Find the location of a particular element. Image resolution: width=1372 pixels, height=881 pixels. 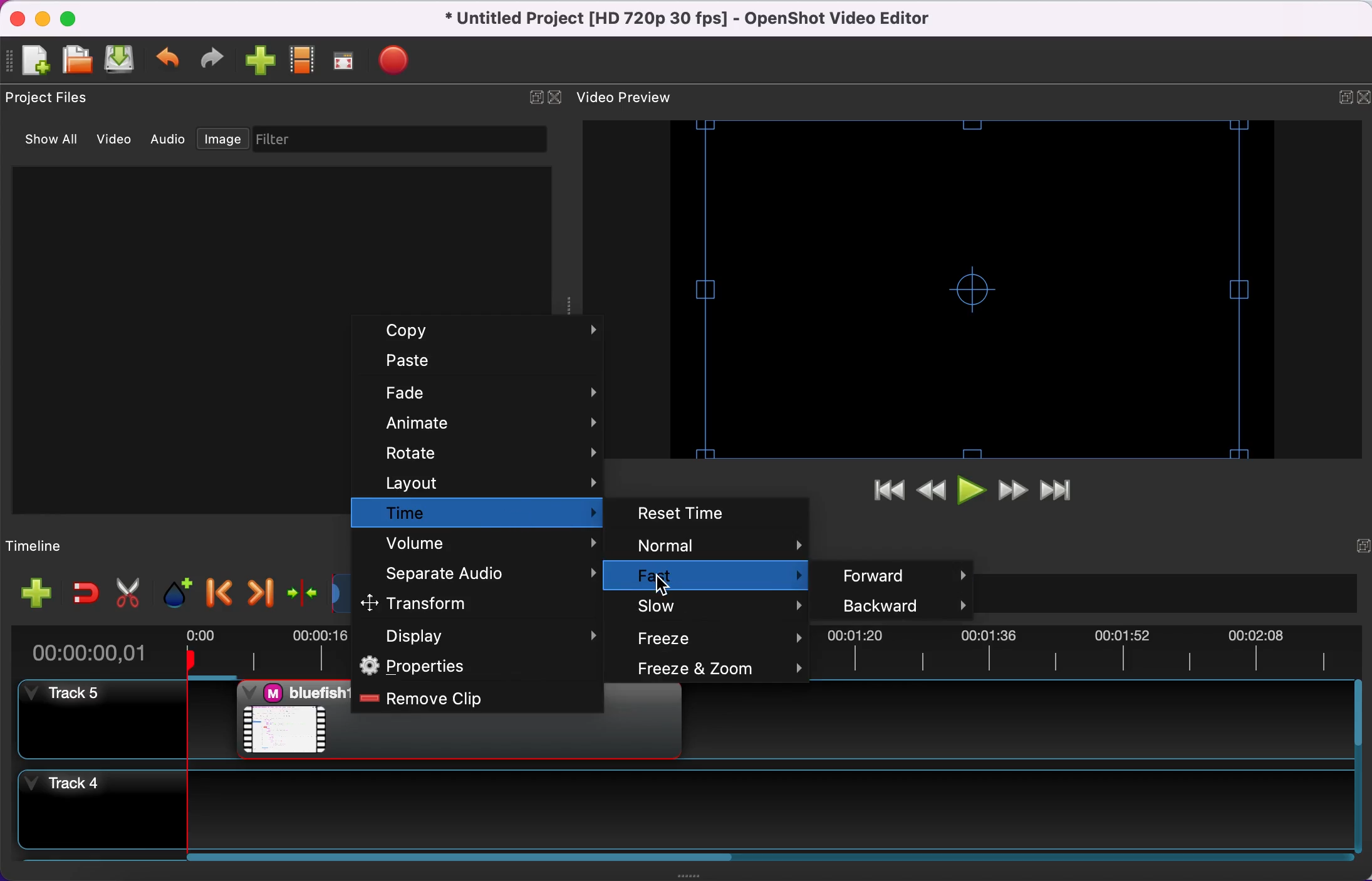

expand/hide is located at coordinates (1333, 98).